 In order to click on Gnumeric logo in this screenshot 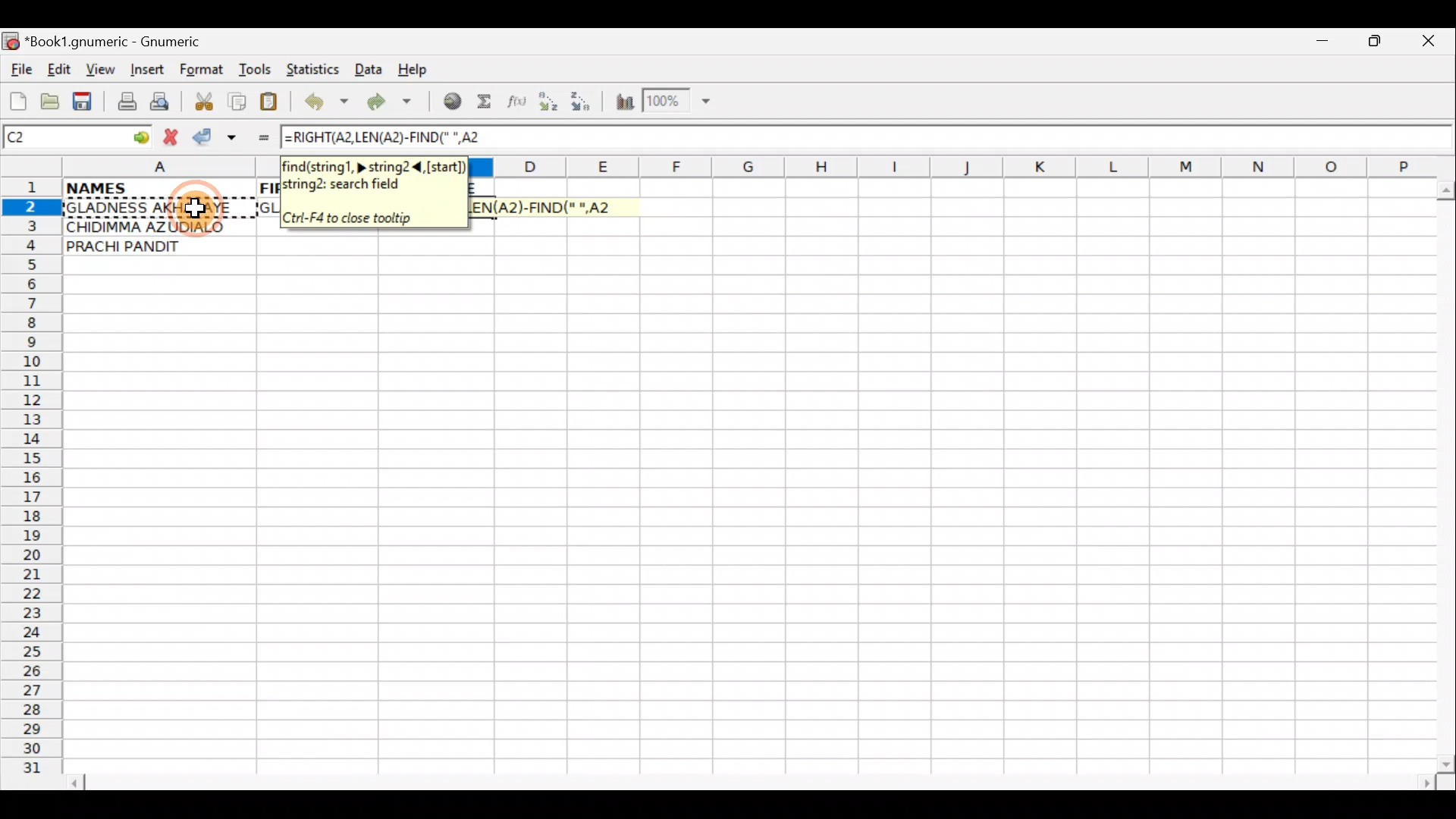, I will do `click(11, 42)`.